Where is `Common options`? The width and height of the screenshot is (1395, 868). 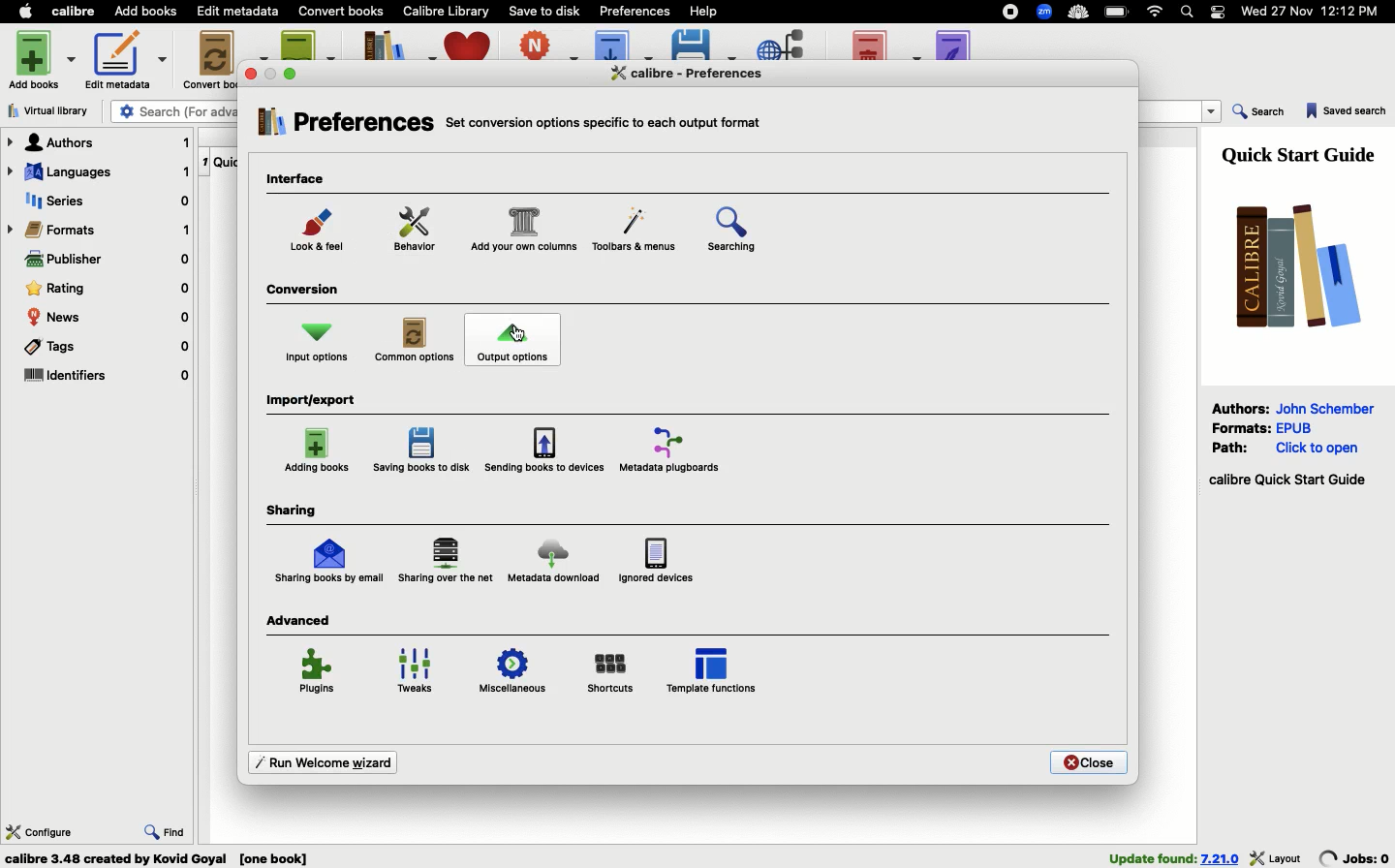
Common options is located at coordinates (417, 341).